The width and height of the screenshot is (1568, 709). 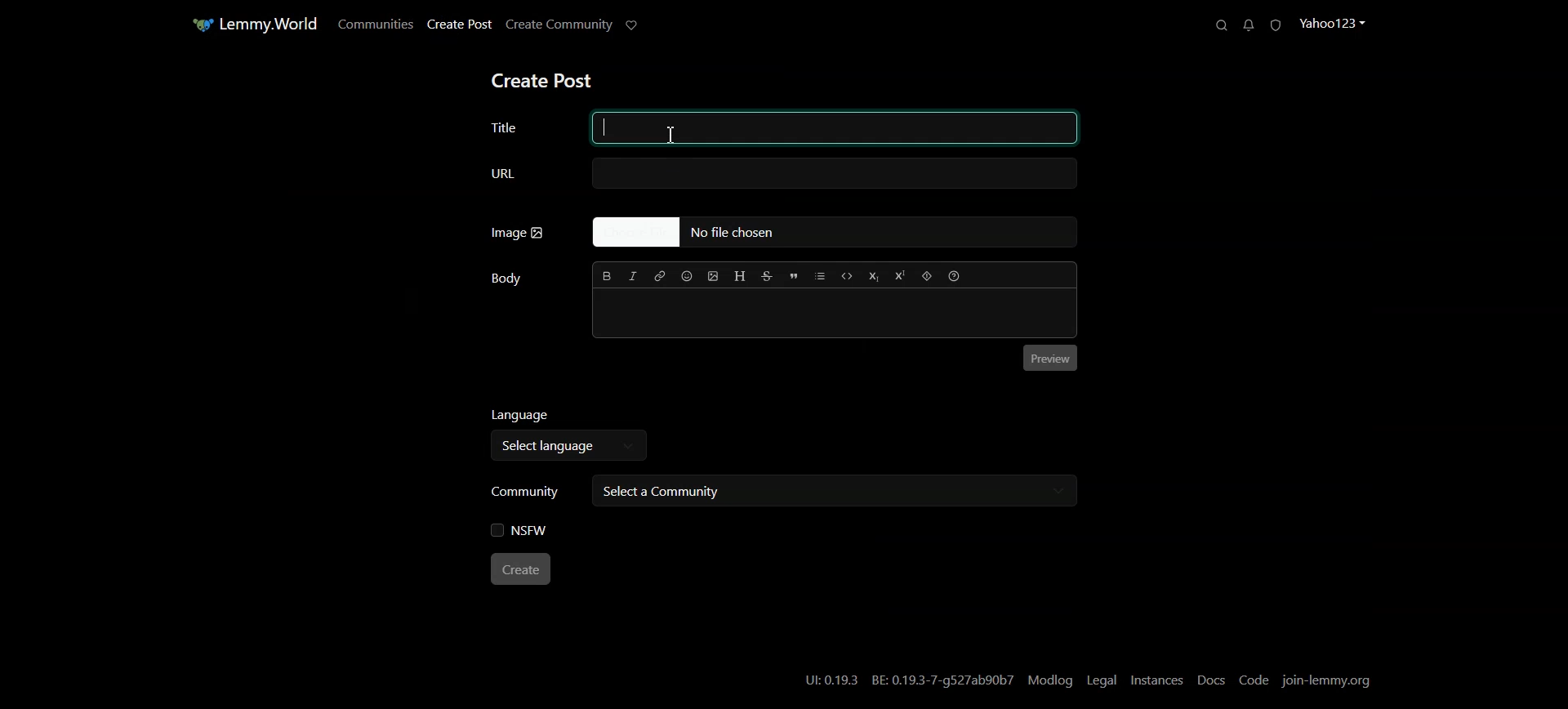 What do you see at coordinates (1329, 680) in the screenshot?
I see `Join-lemmy.org` at bounding box center [1329, 680].